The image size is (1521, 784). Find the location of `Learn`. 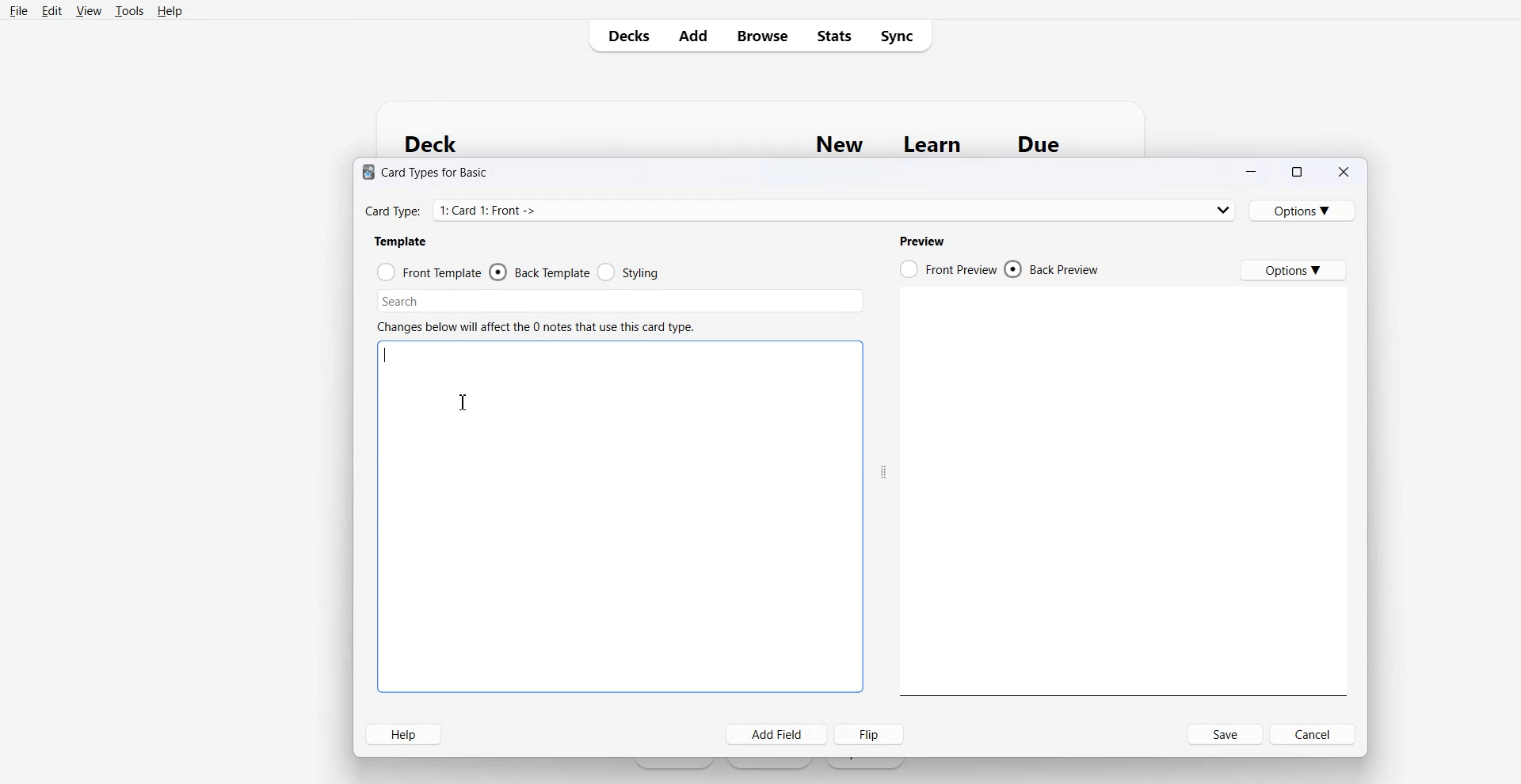

Learn is located at coordinates (935, 145).